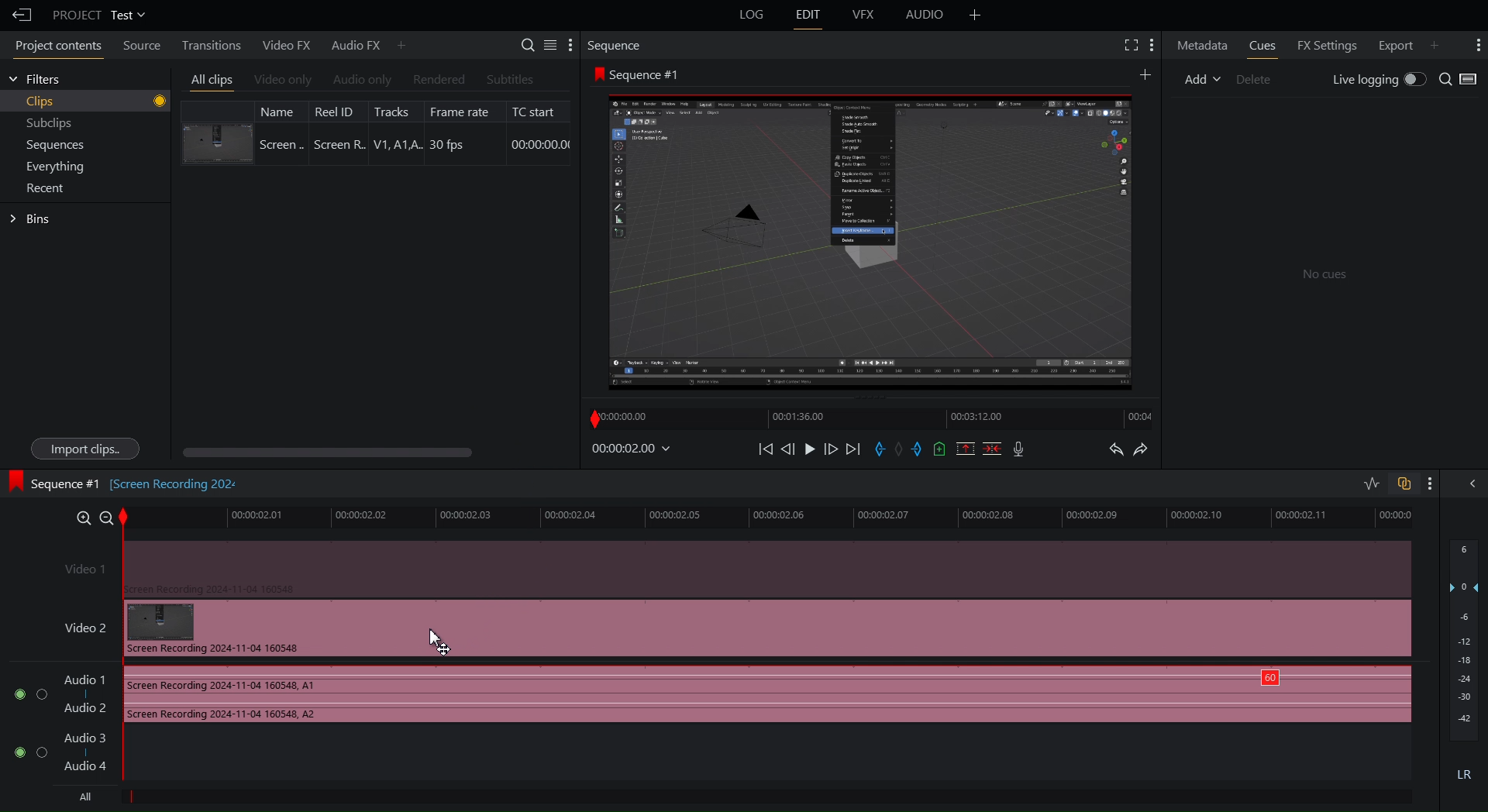  What do you see at coordinates (1441, 43) in the screenshot?
I see `More` at bounding box center [1441, 43].